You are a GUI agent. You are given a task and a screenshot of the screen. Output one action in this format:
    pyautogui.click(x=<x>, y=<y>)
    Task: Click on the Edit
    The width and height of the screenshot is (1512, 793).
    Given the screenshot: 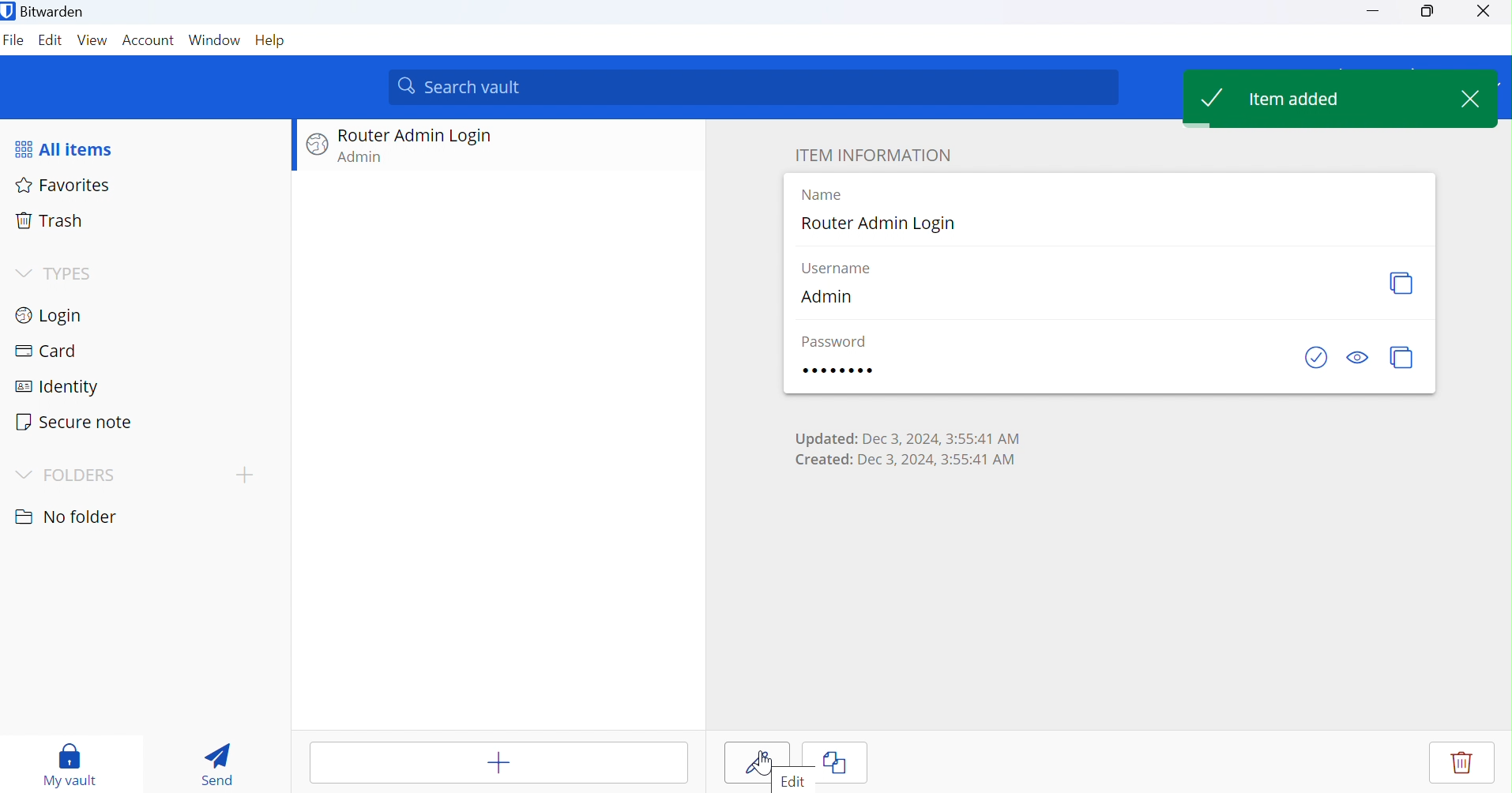 What is the action you would take?
    pyautogui.click(x=52, y=42)
    